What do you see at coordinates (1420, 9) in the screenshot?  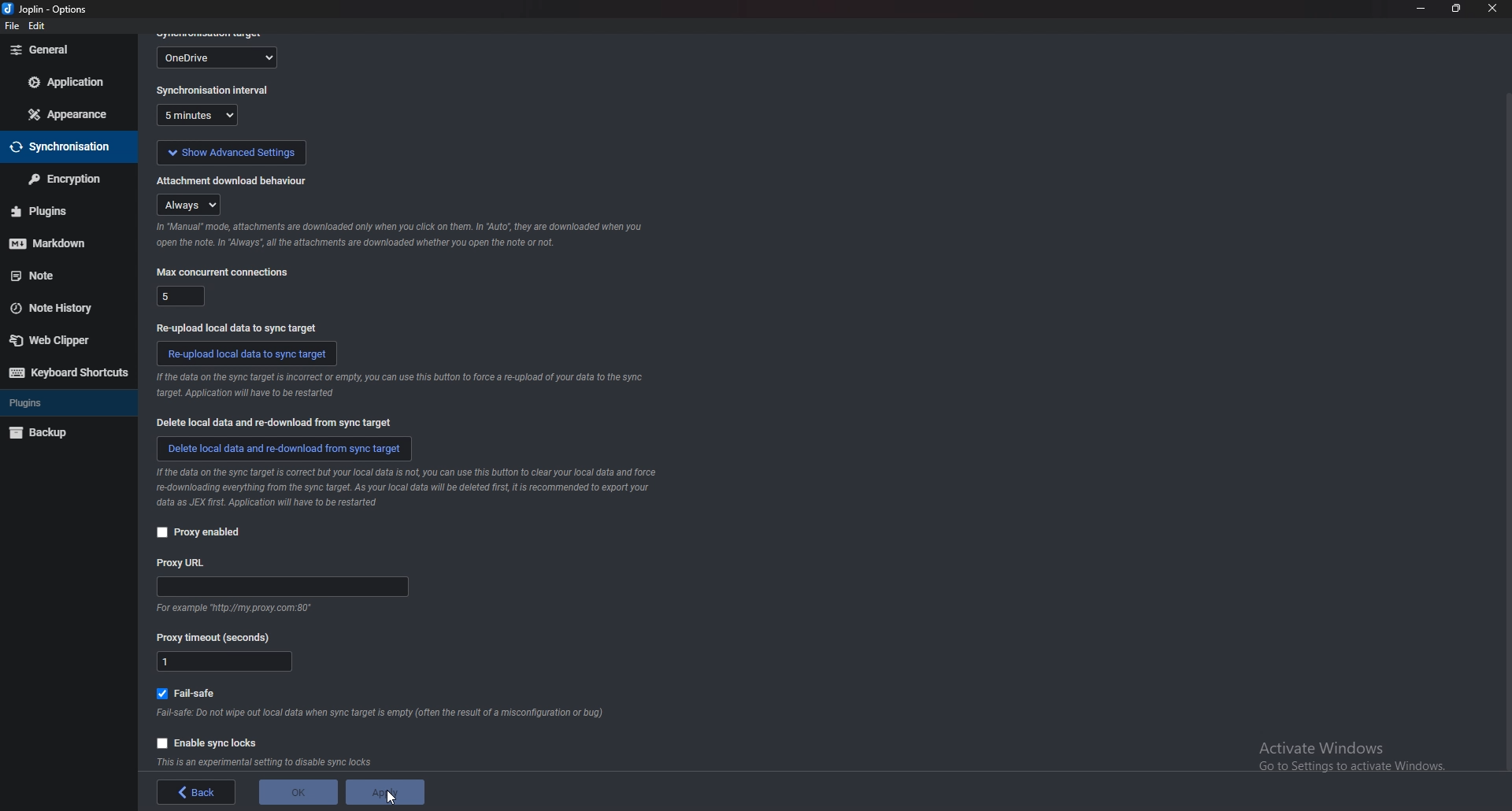 I see `minimize` at bounding box center [1420, 9].